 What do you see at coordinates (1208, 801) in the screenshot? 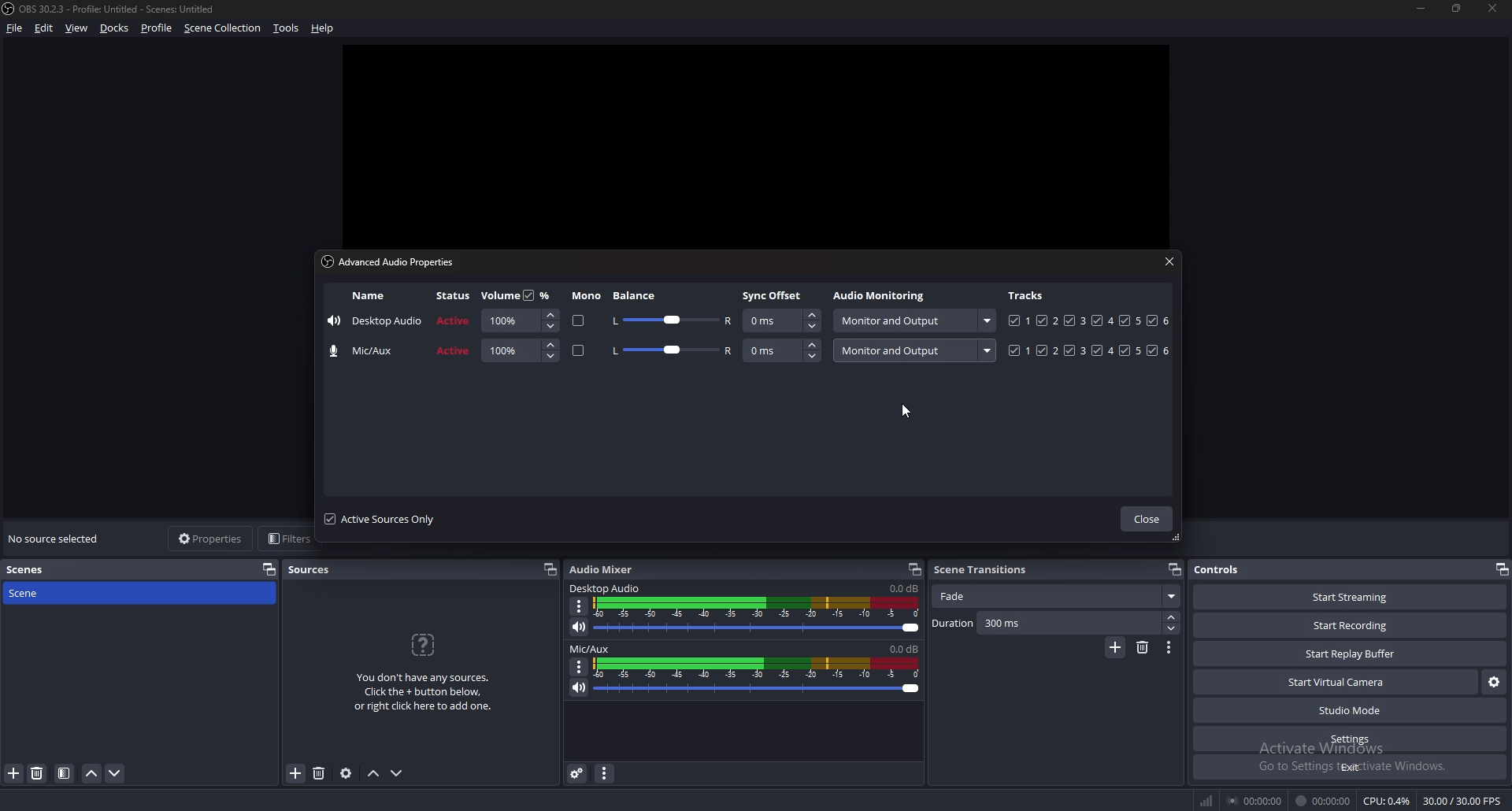
I see `network` at bounding box center [1208, 801].